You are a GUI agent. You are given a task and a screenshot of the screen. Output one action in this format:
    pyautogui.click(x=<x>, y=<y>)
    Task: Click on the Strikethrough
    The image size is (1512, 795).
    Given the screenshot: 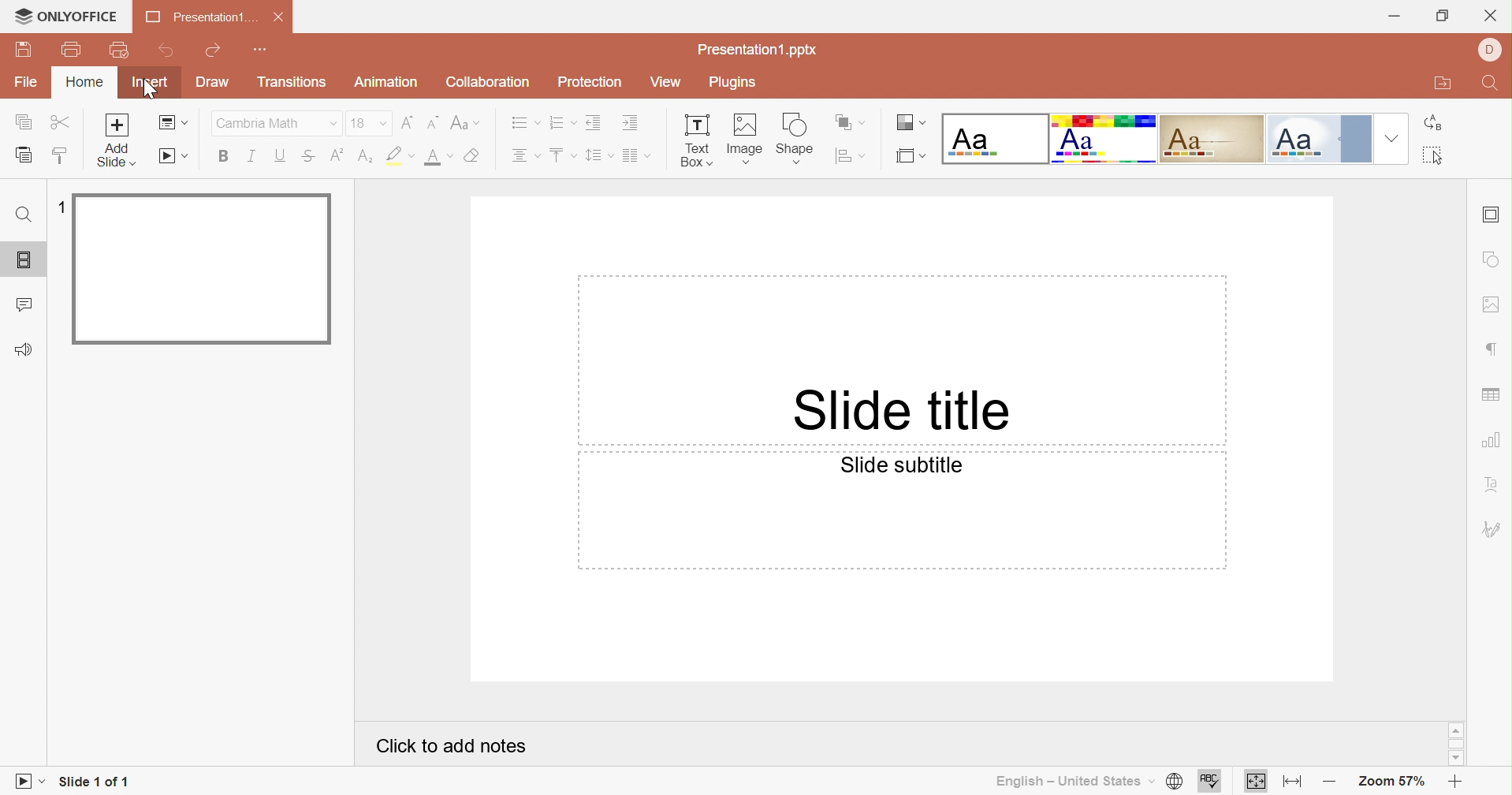 What is the action you would take?
    pyautogui.click(x=308, y=157)
    